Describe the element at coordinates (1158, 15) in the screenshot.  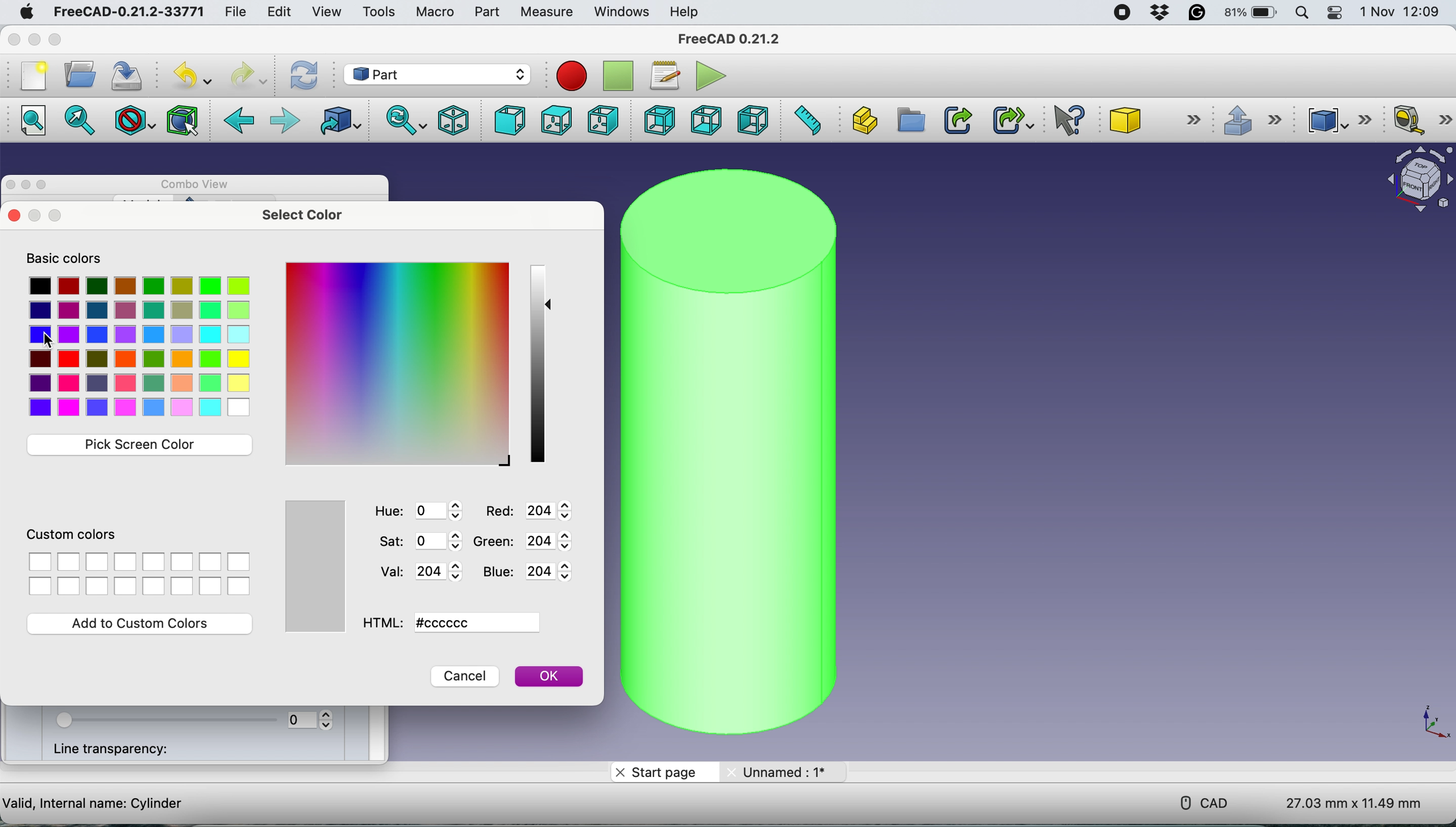
I see `dropbox` at that location.